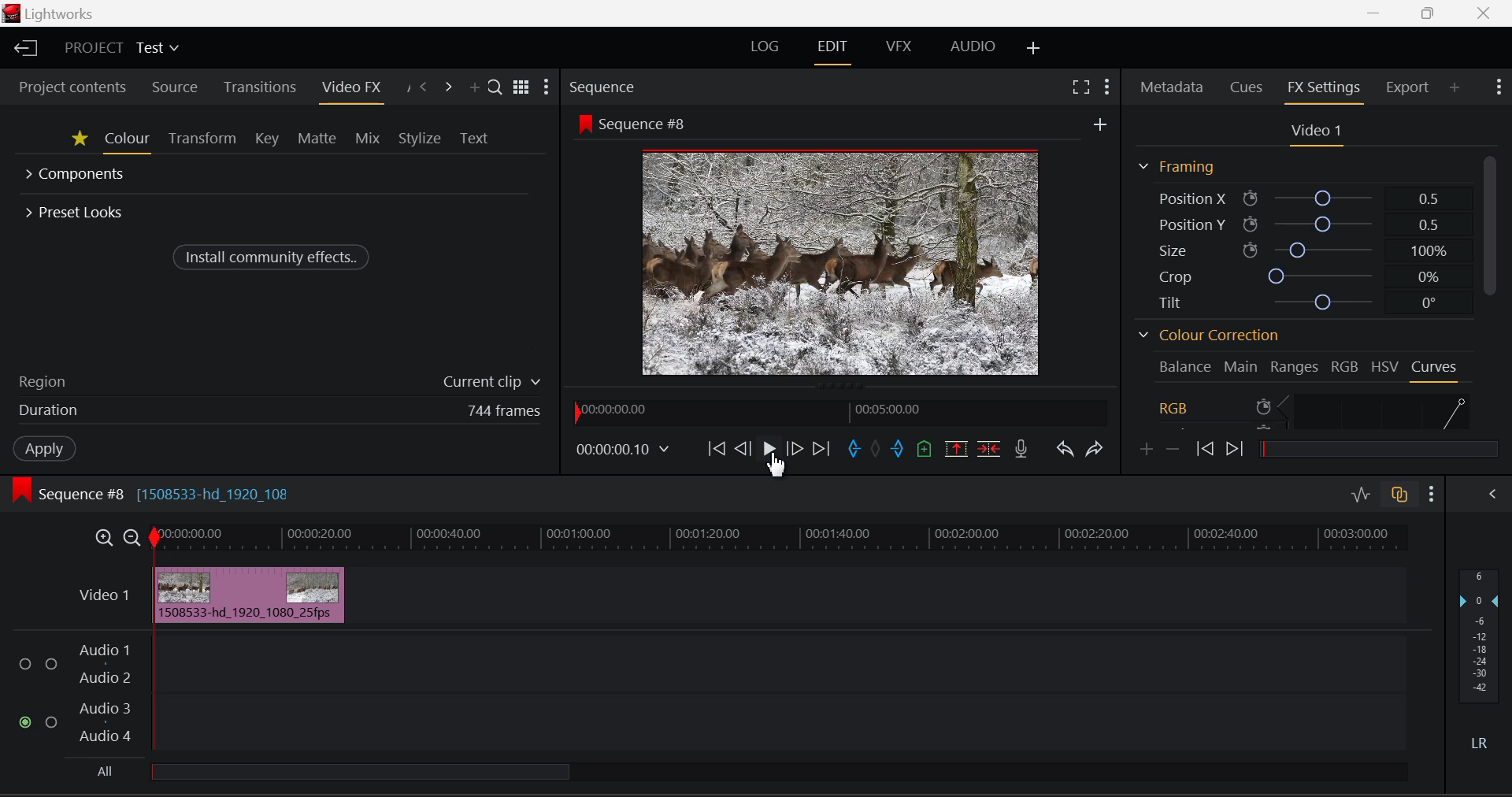 This screenshot has width=1512, height=797. I want to click on Go Back, so click(743, 447).